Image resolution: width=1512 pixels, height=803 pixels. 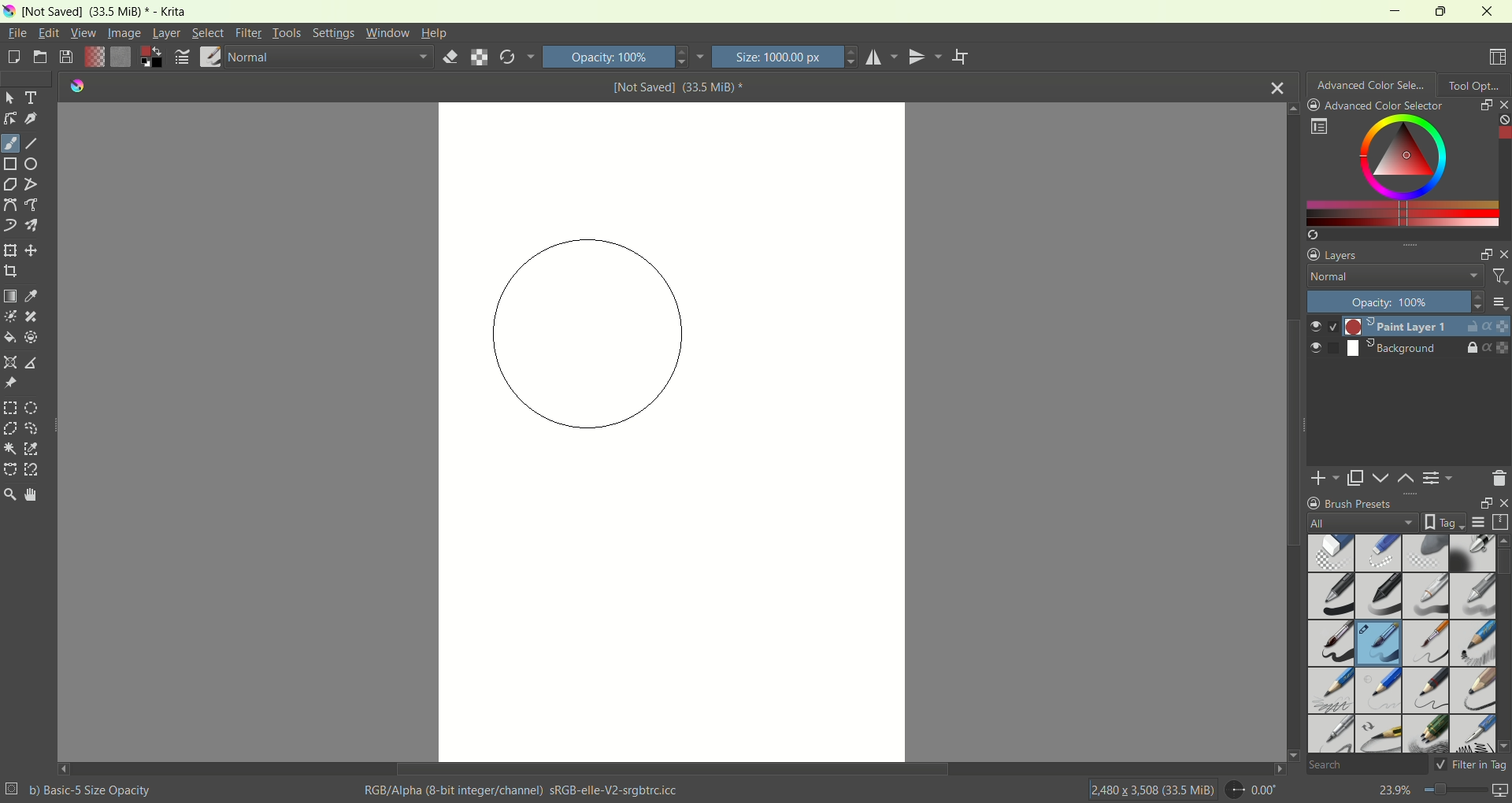 I want to click on text, so click(x=33, y=98).